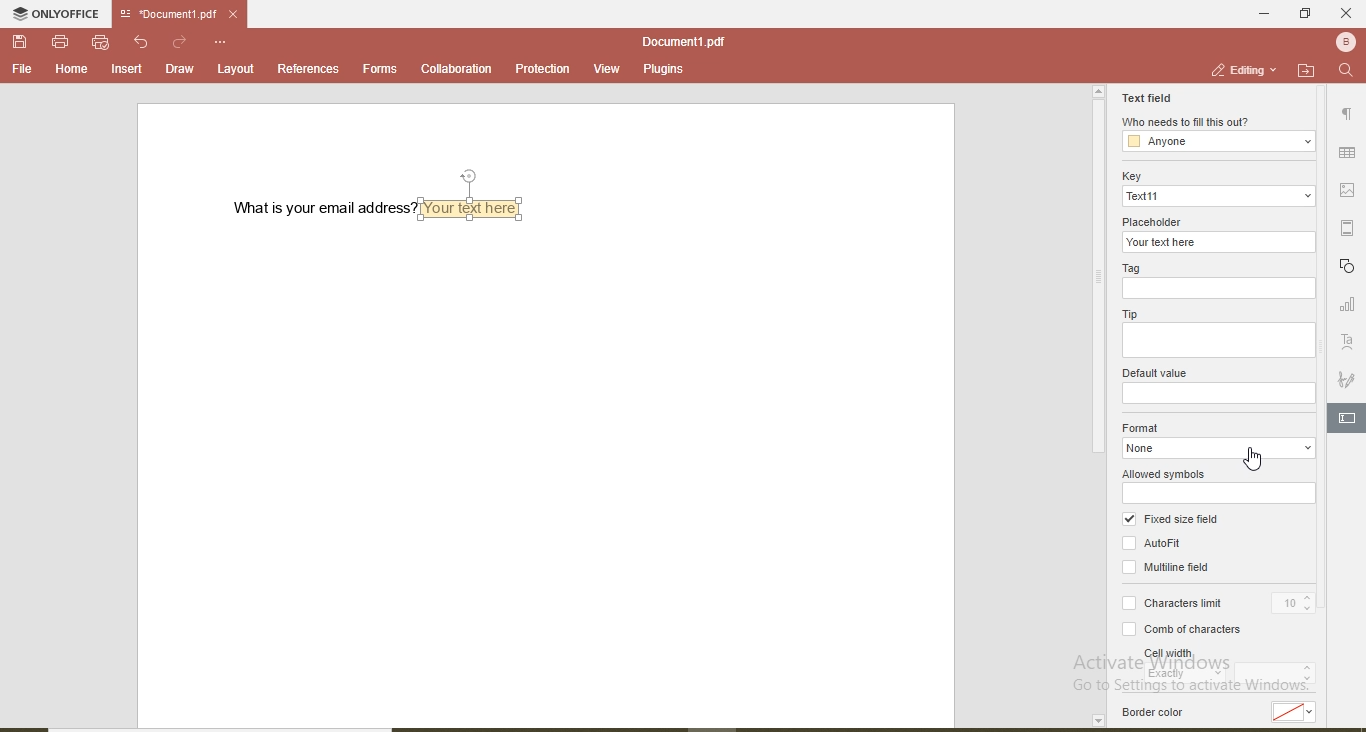  What do you see at coordinates (59, 16) in the screenshot?
I see `onlyoffice` at bounding box center [59, 16].